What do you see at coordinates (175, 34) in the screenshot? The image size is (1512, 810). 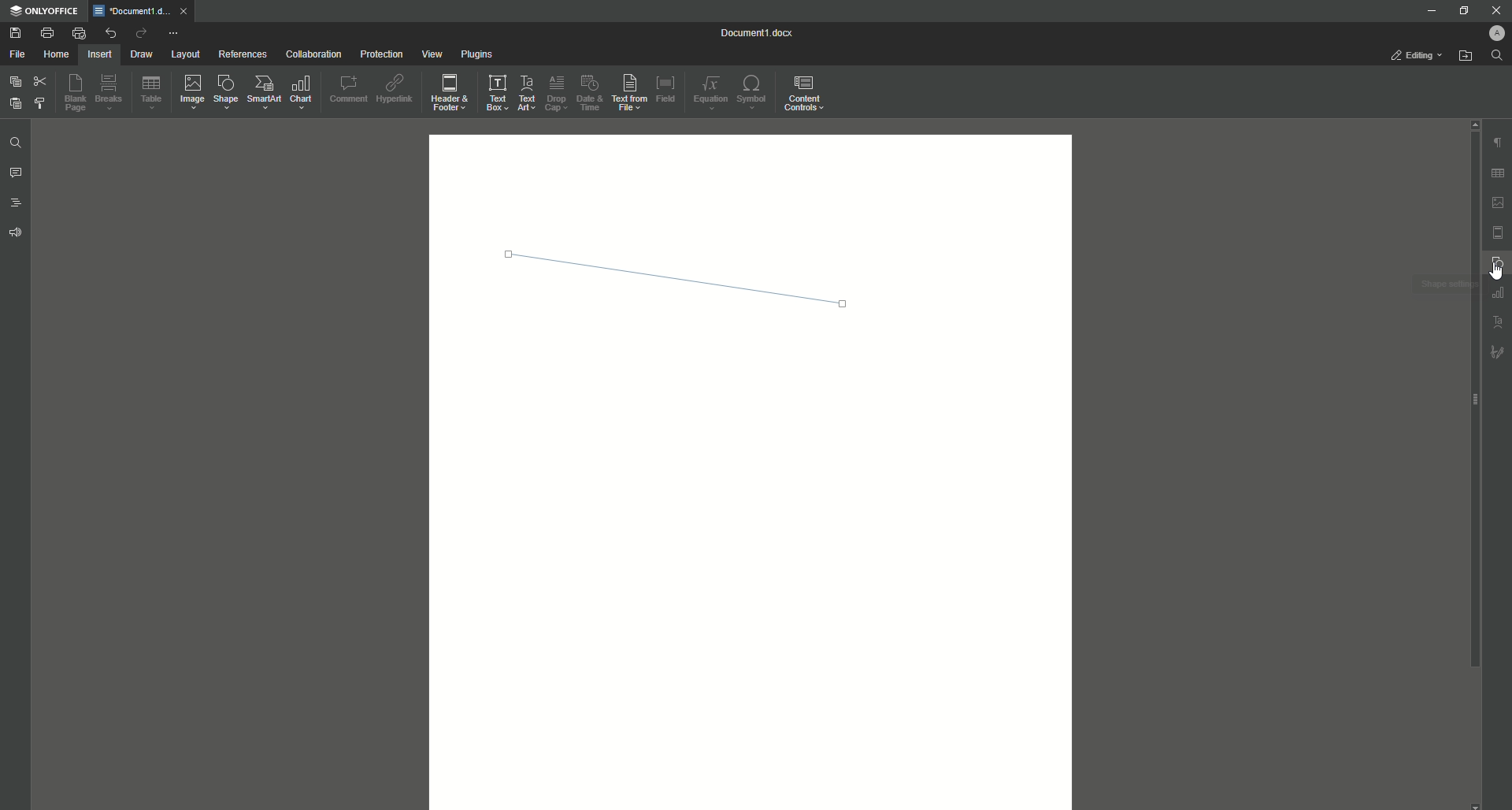 I see `More Options` at bounding box center [175, 34].